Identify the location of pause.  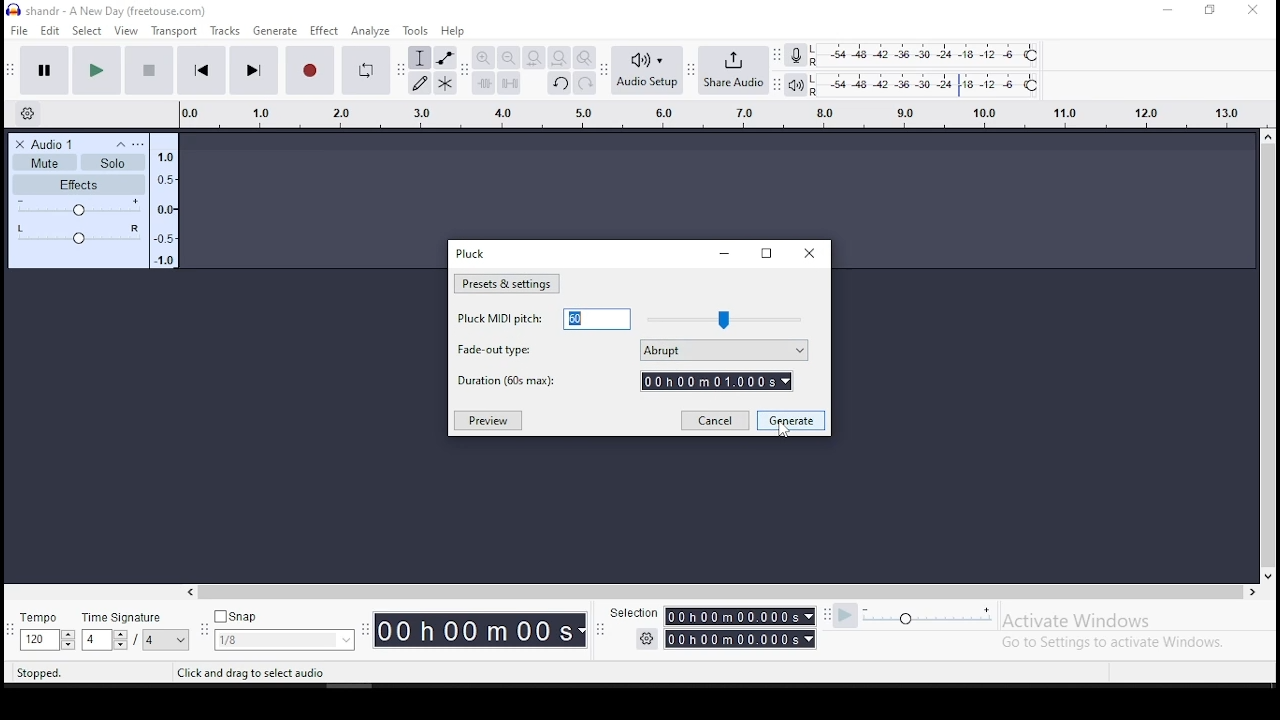
(44, 70).